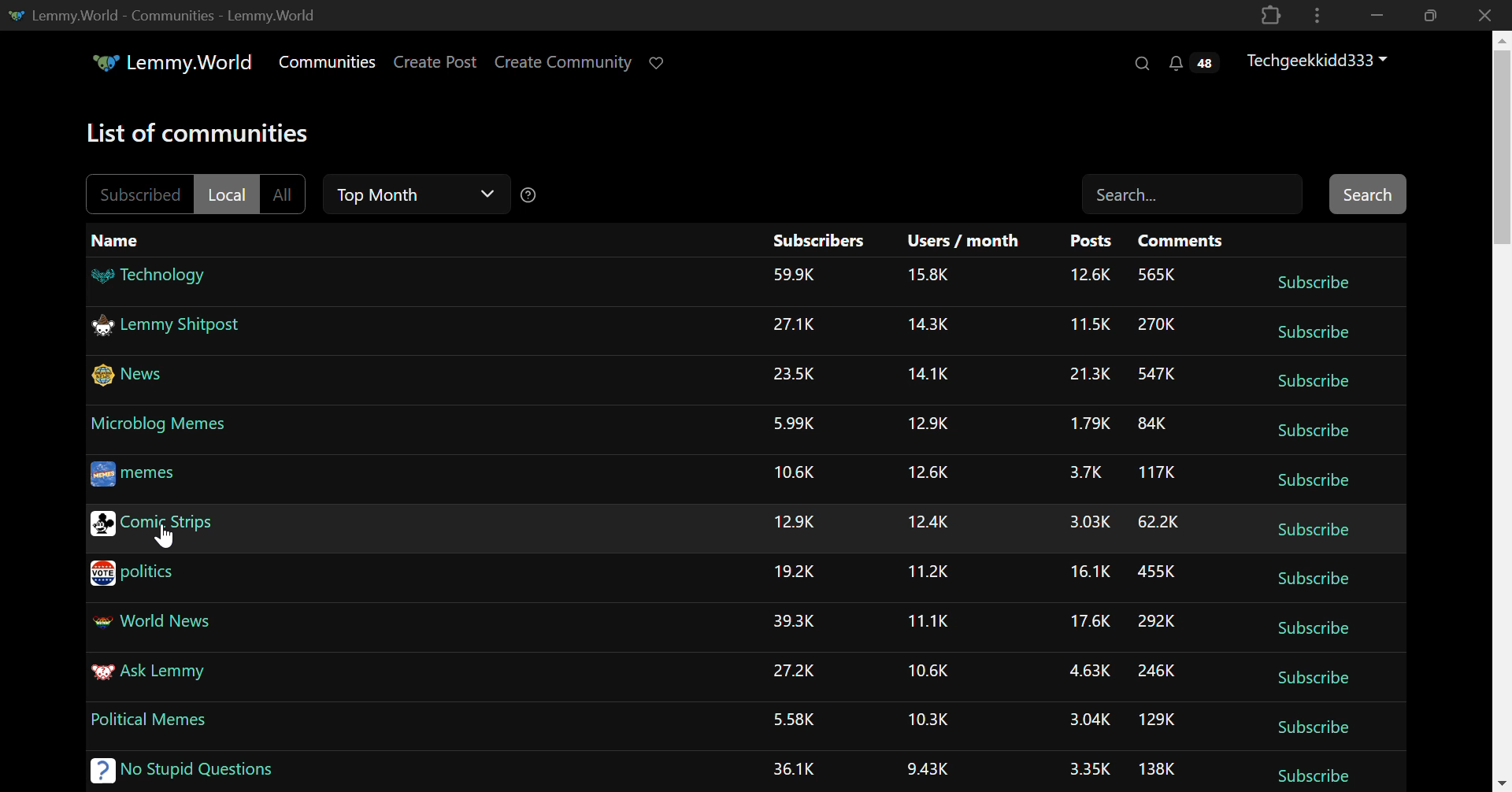  Describe the element at coordinates (795, 520) in the screenshot. I see `12.9K` at that location.